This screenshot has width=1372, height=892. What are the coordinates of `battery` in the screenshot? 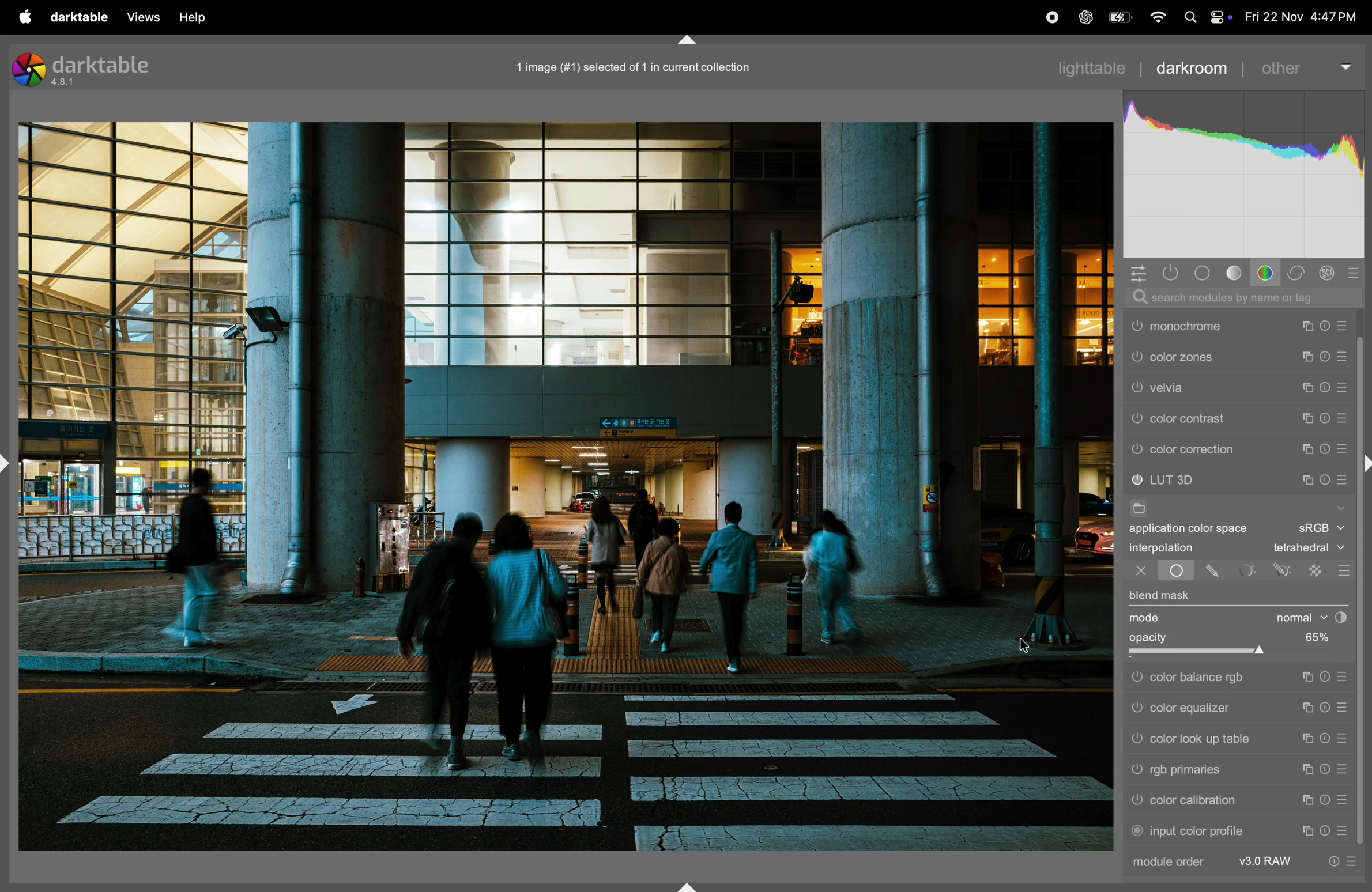 It's located at (1117, 19).